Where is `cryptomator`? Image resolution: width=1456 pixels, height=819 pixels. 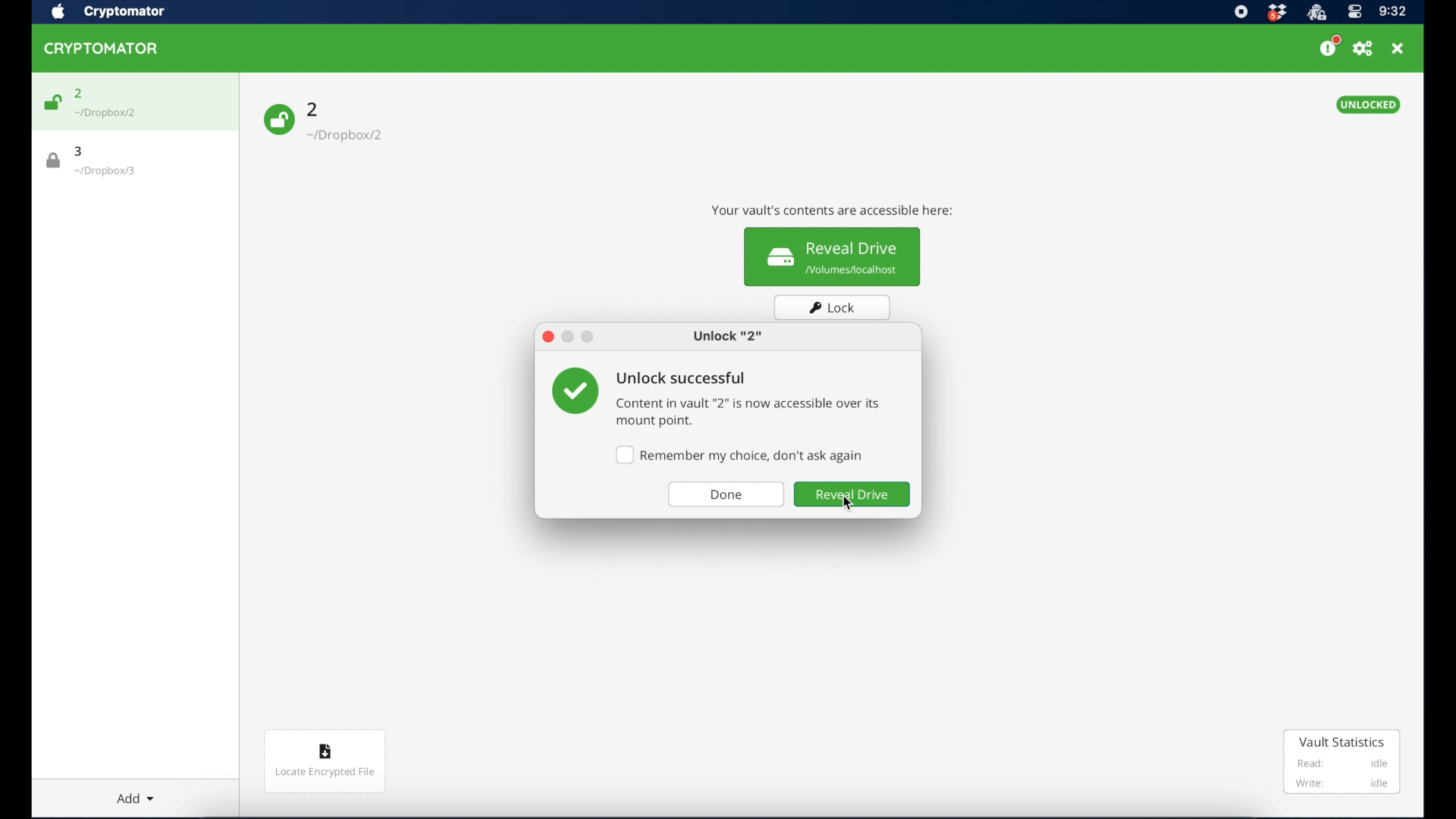 cryptomator is located at coordinates (125, 12).